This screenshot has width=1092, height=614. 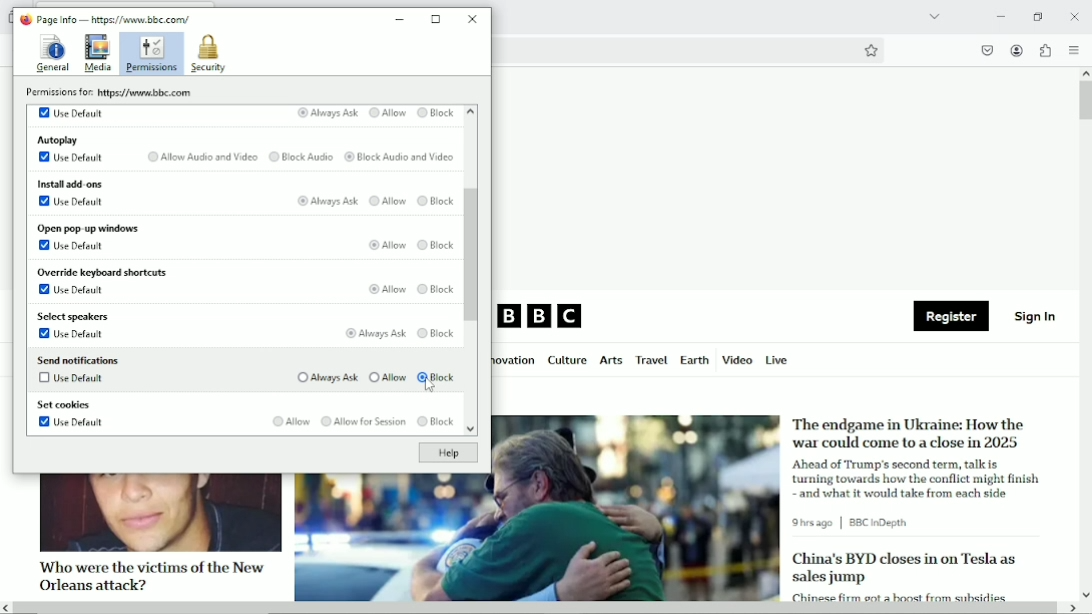 What do you see at coordinates (387, 114) in the screenshot?
I see `Allow` at bounding box center [387, 114].